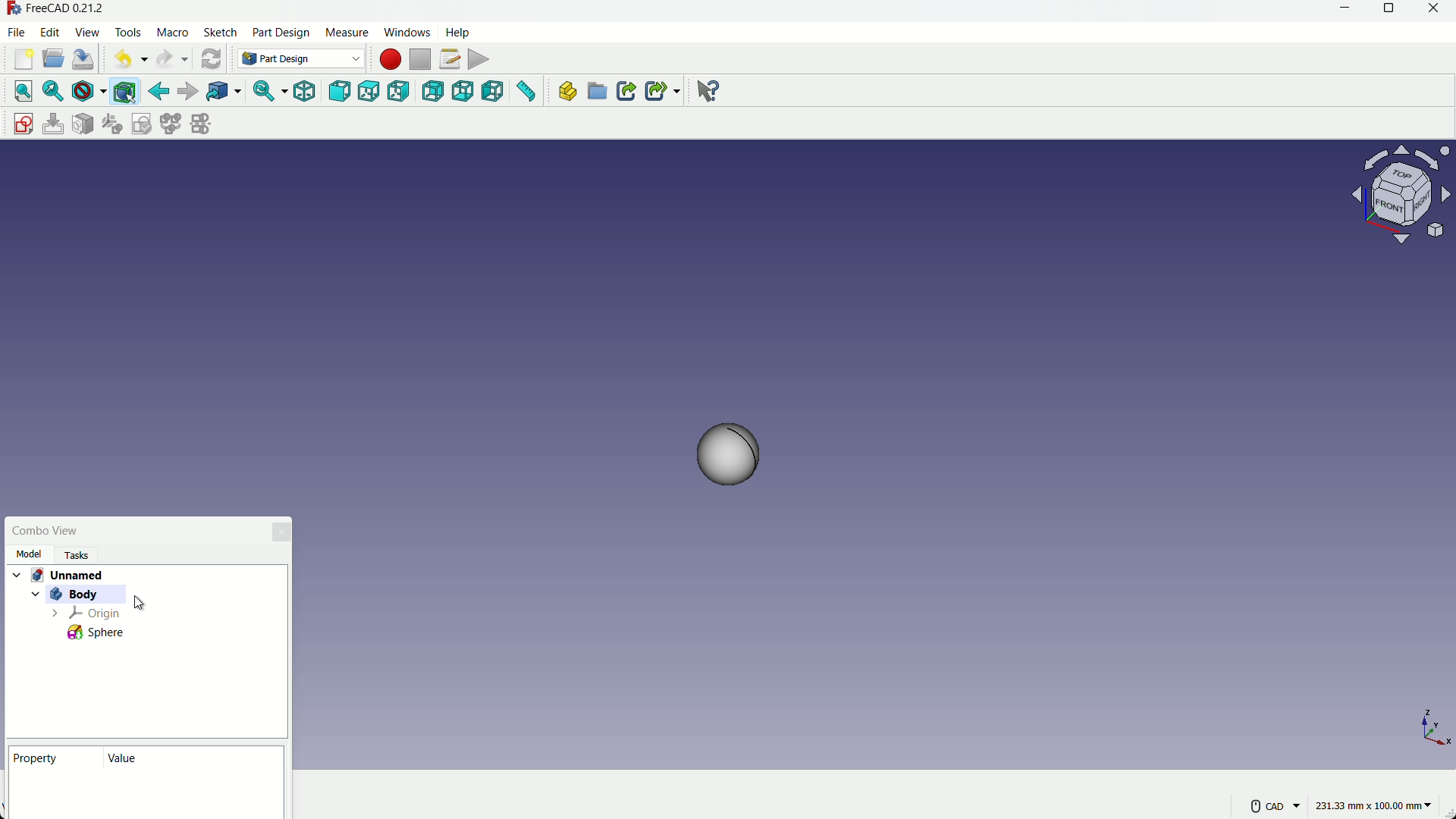 The height and width of the screenshot is (819, 1456). Describe the element at coordinates (55, 93) in the screenshot. I see `fit selection` at that location.